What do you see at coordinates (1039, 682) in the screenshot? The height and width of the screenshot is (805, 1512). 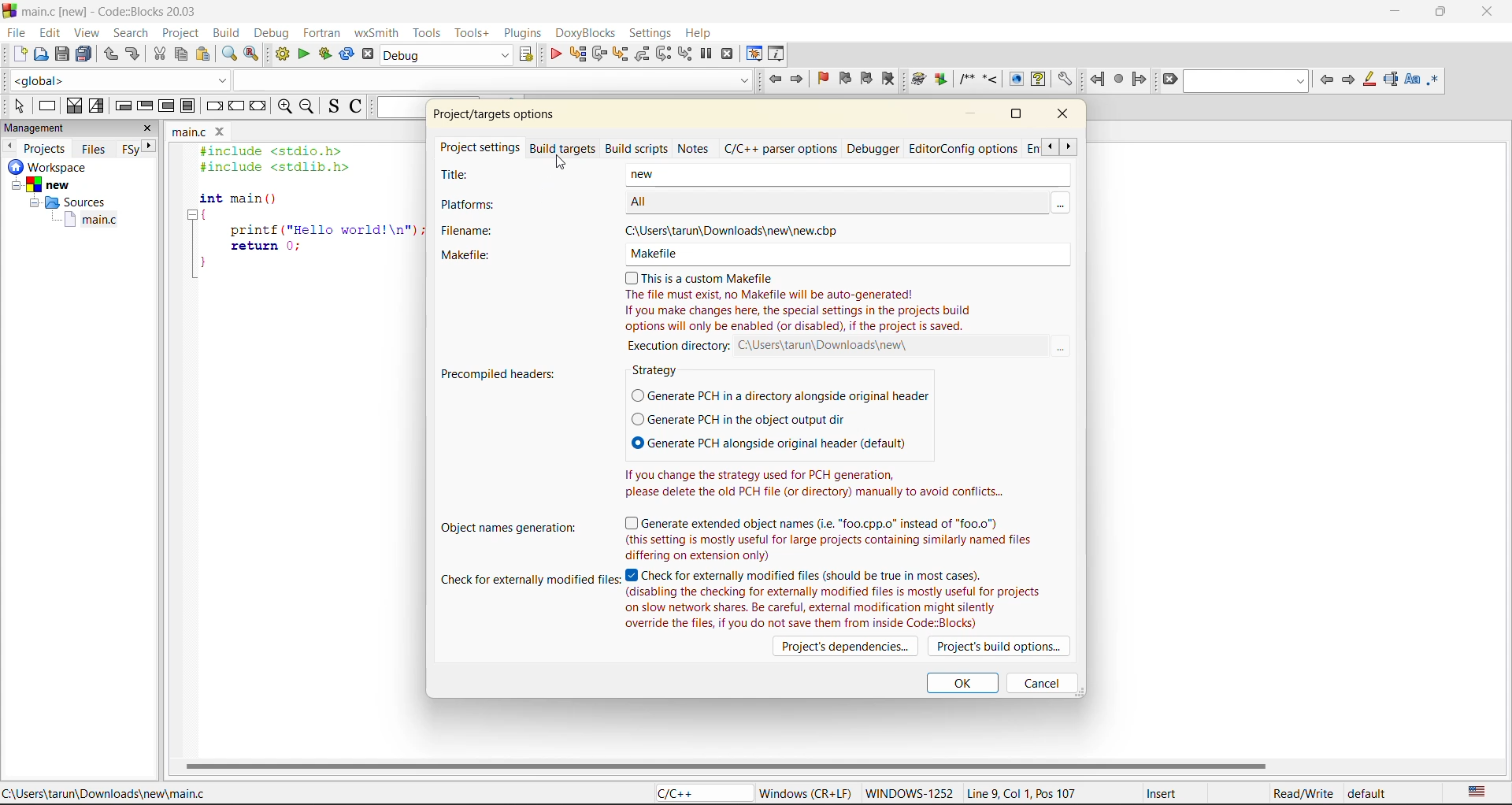 I see `cancel` at bounding box center [1039, 682].